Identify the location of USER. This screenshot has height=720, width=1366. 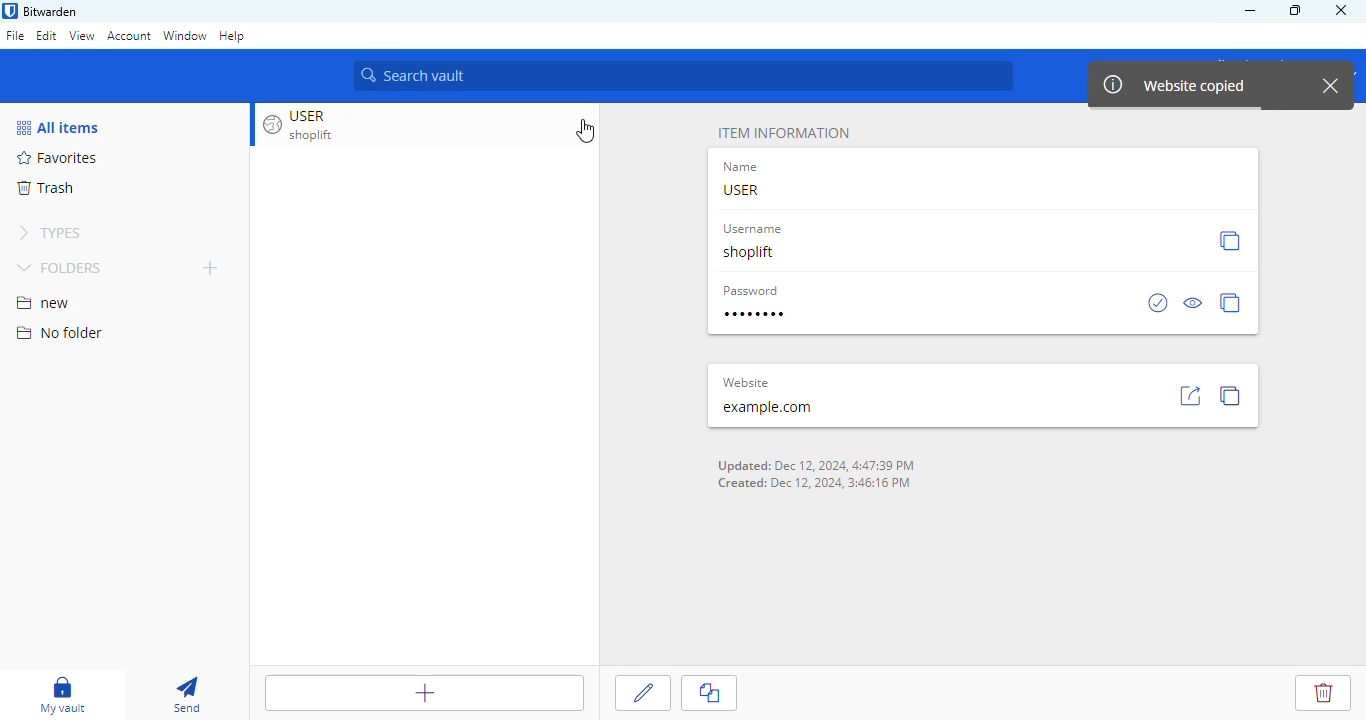
(740, 189).